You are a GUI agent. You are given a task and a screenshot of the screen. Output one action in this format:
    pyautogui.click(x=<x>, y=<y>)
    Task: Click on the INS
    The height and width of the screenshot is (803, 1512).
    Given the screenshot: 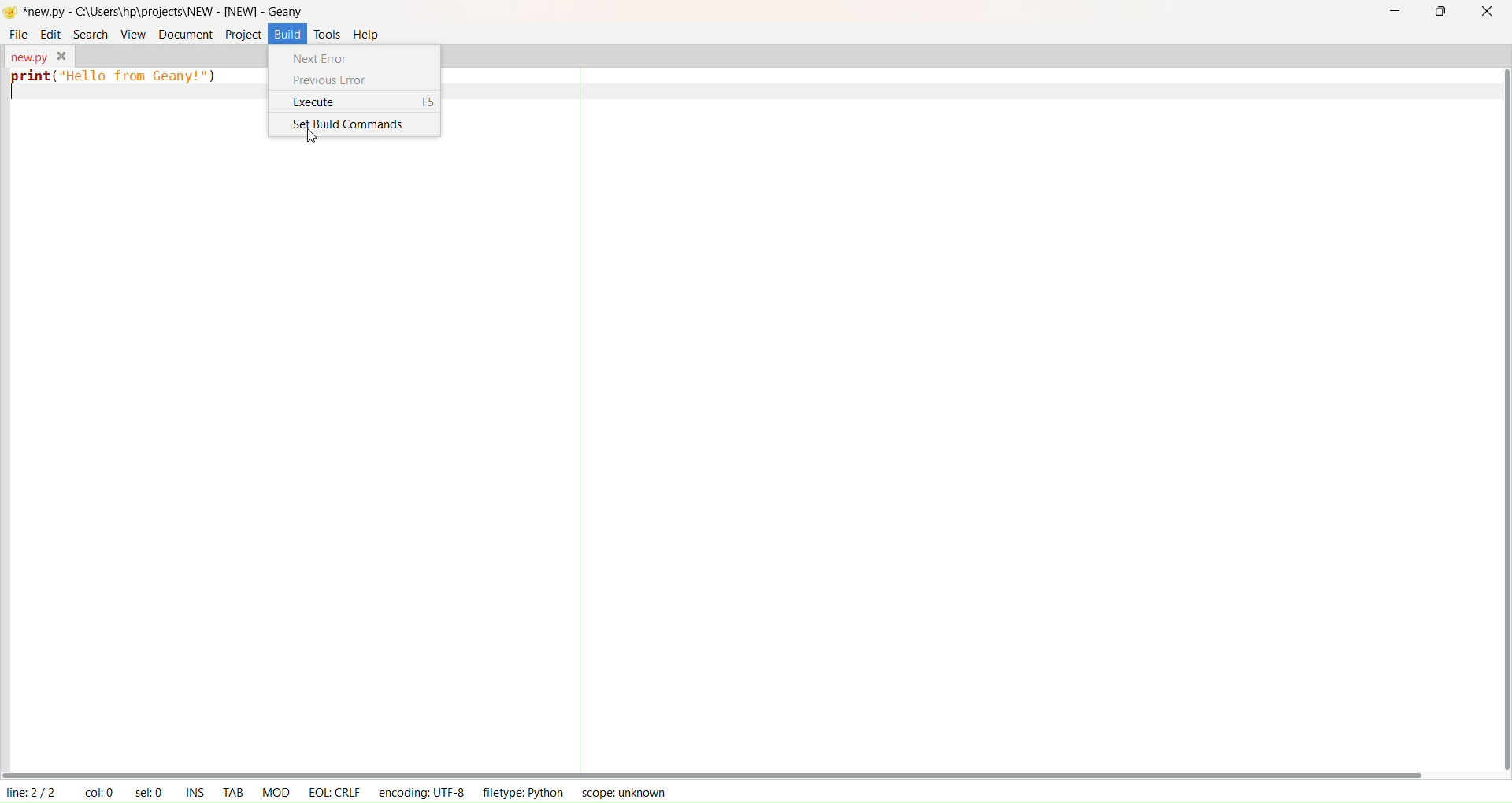 What is the action you would take?
    pyautogui.click(x=195, y=790)
    